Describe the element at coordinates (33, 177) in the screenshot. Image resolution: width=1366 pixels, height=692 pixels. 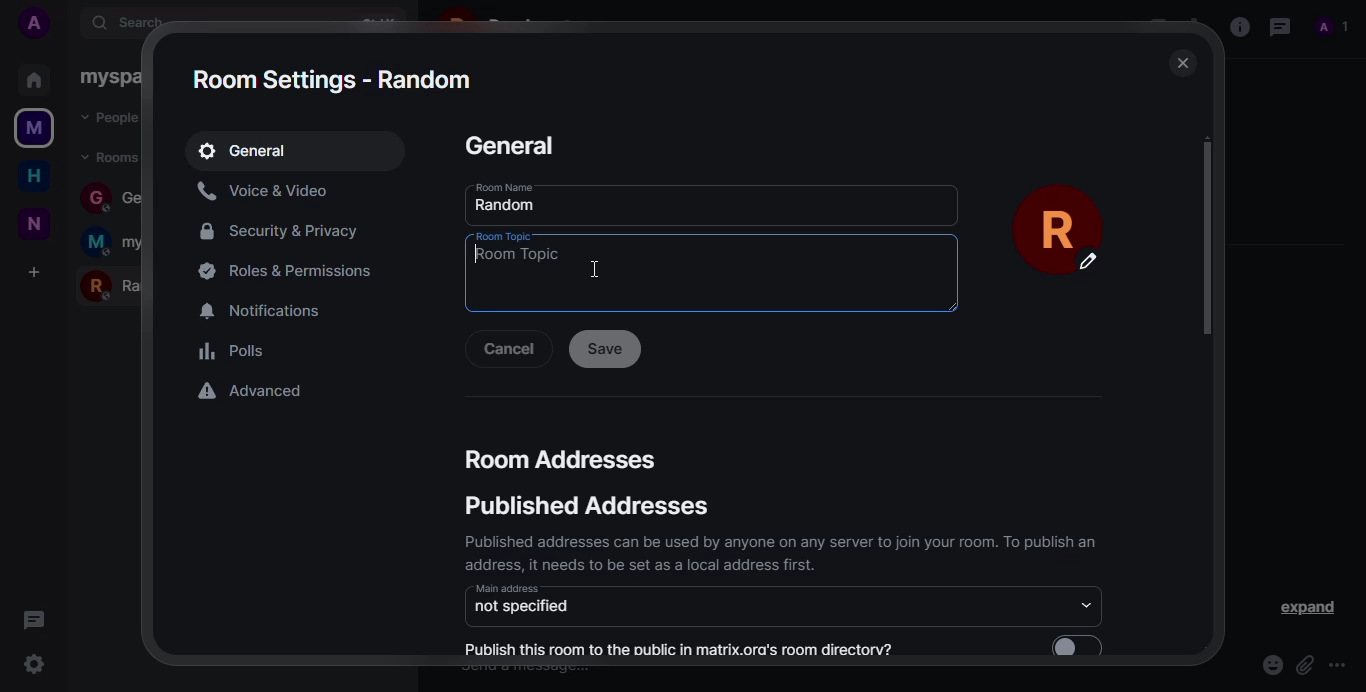
I see `home` at that location.